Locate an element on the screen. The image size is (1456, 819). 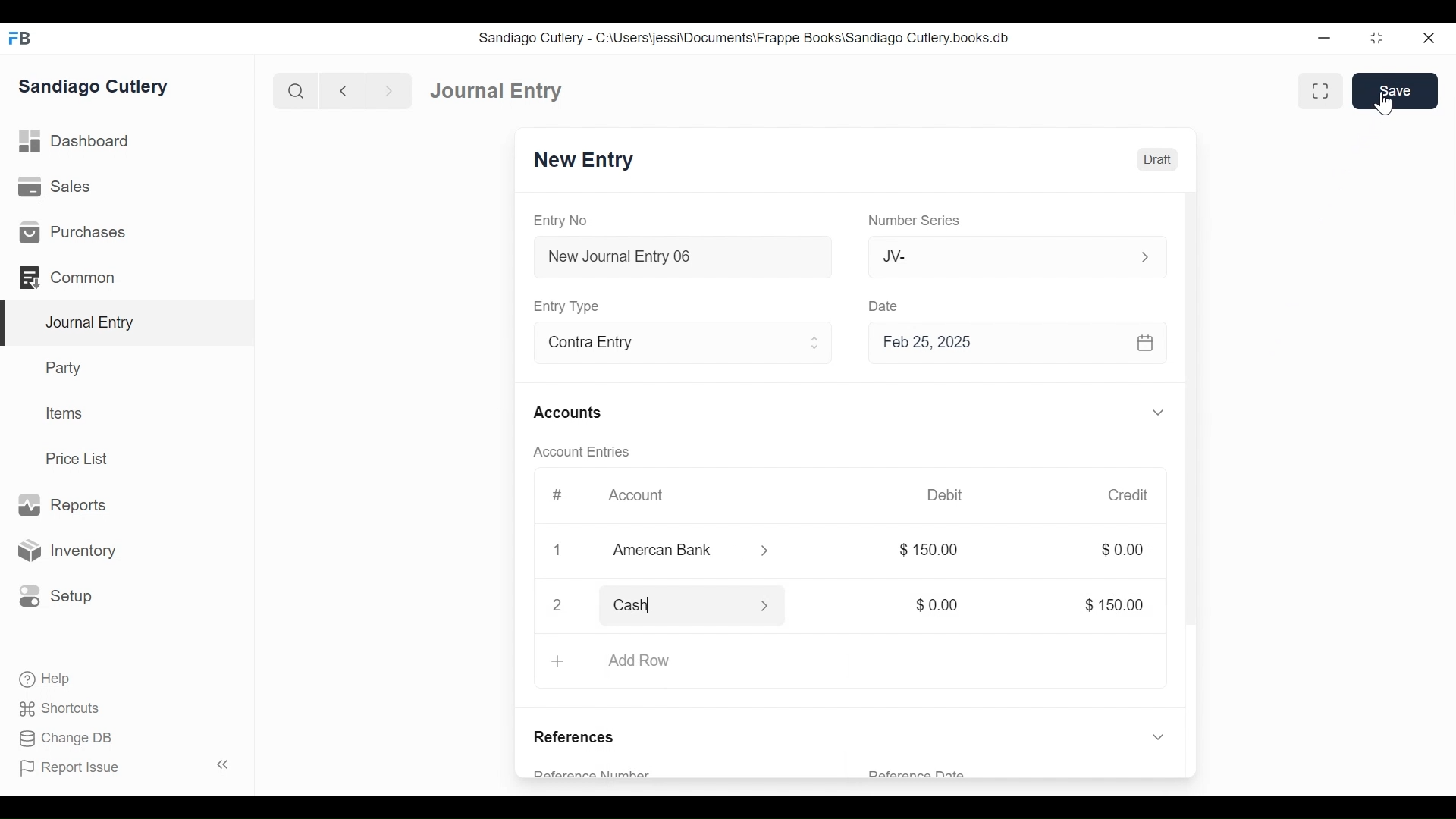
Feb 25, 2025 is located at coordinates (1011, 342).